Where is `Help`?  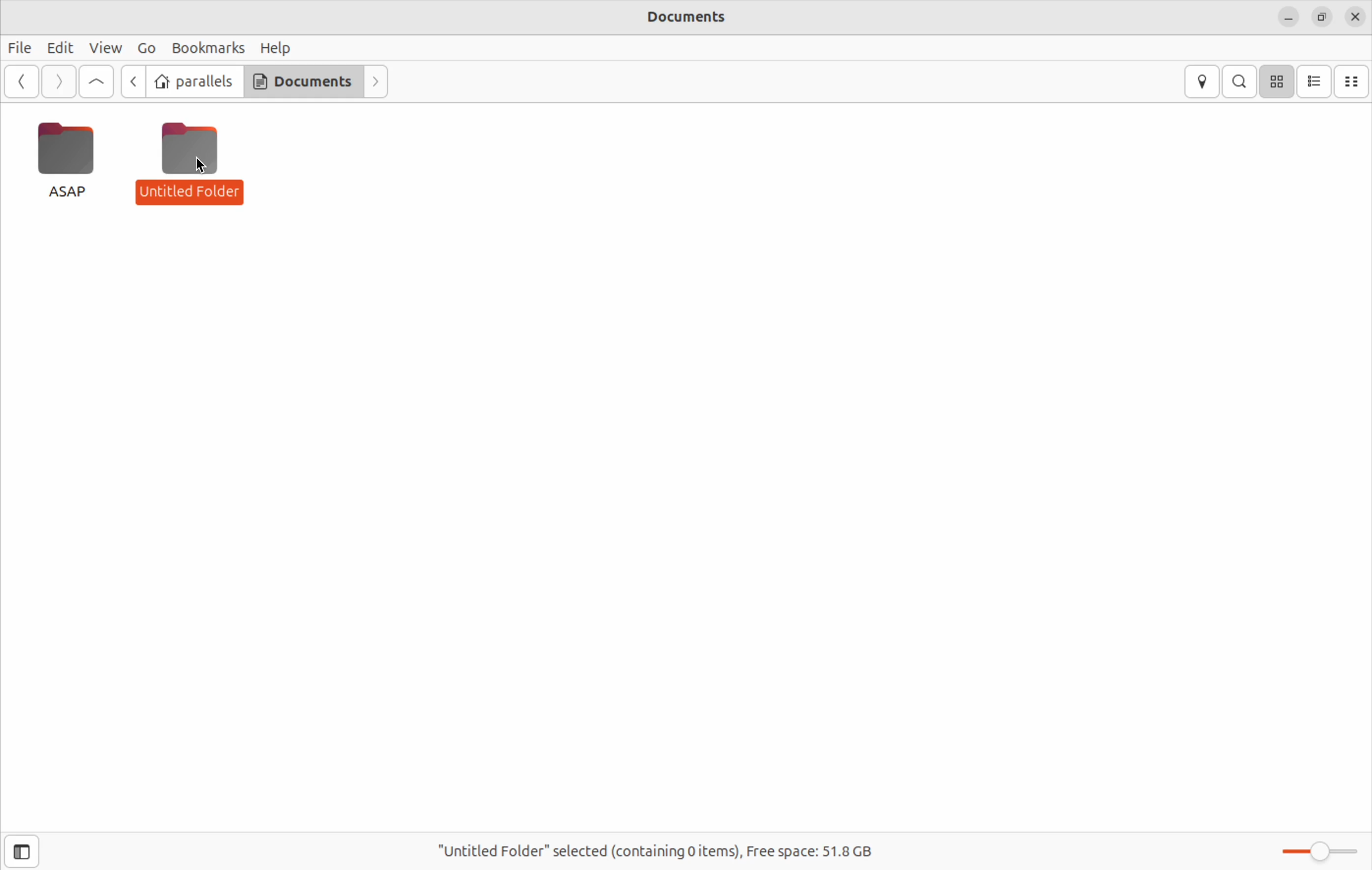
Help is located at coordinates (276, 45).